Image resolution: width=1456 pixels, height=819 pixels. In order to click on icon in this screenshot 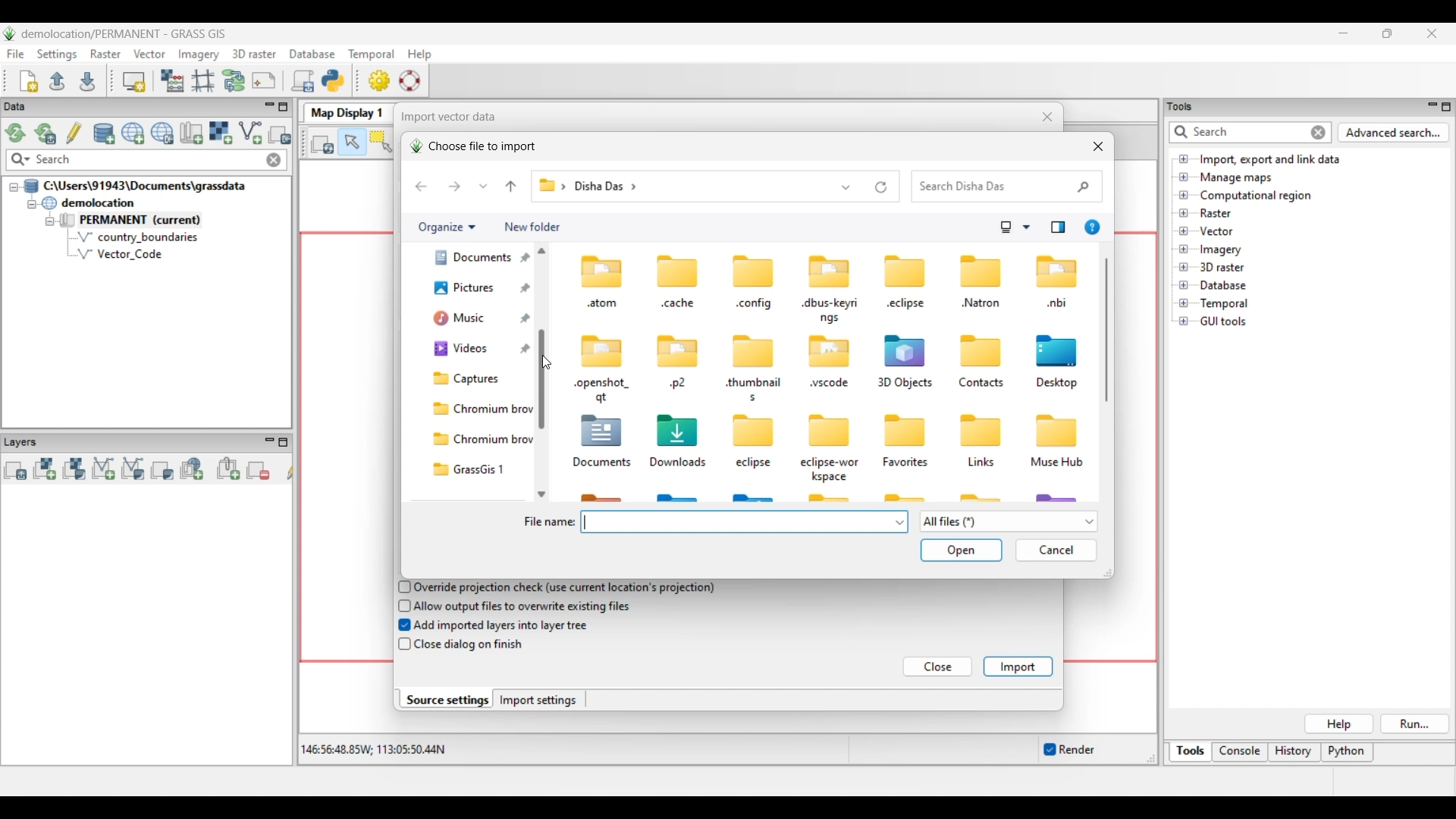, I will do `click(1057, 429)`.